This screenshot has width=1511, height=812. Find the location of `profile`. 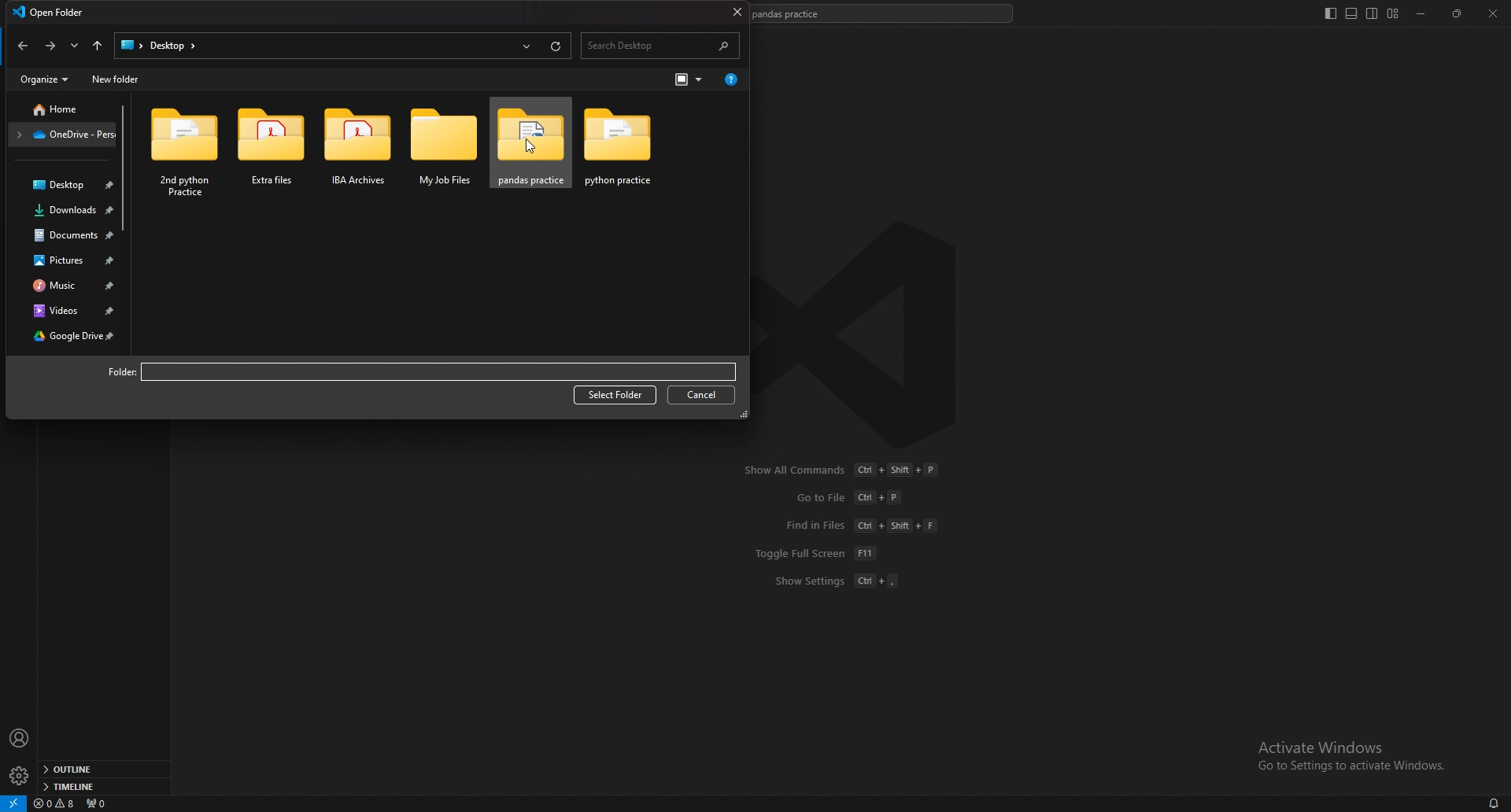

profile is located at coordinates (20, 739).